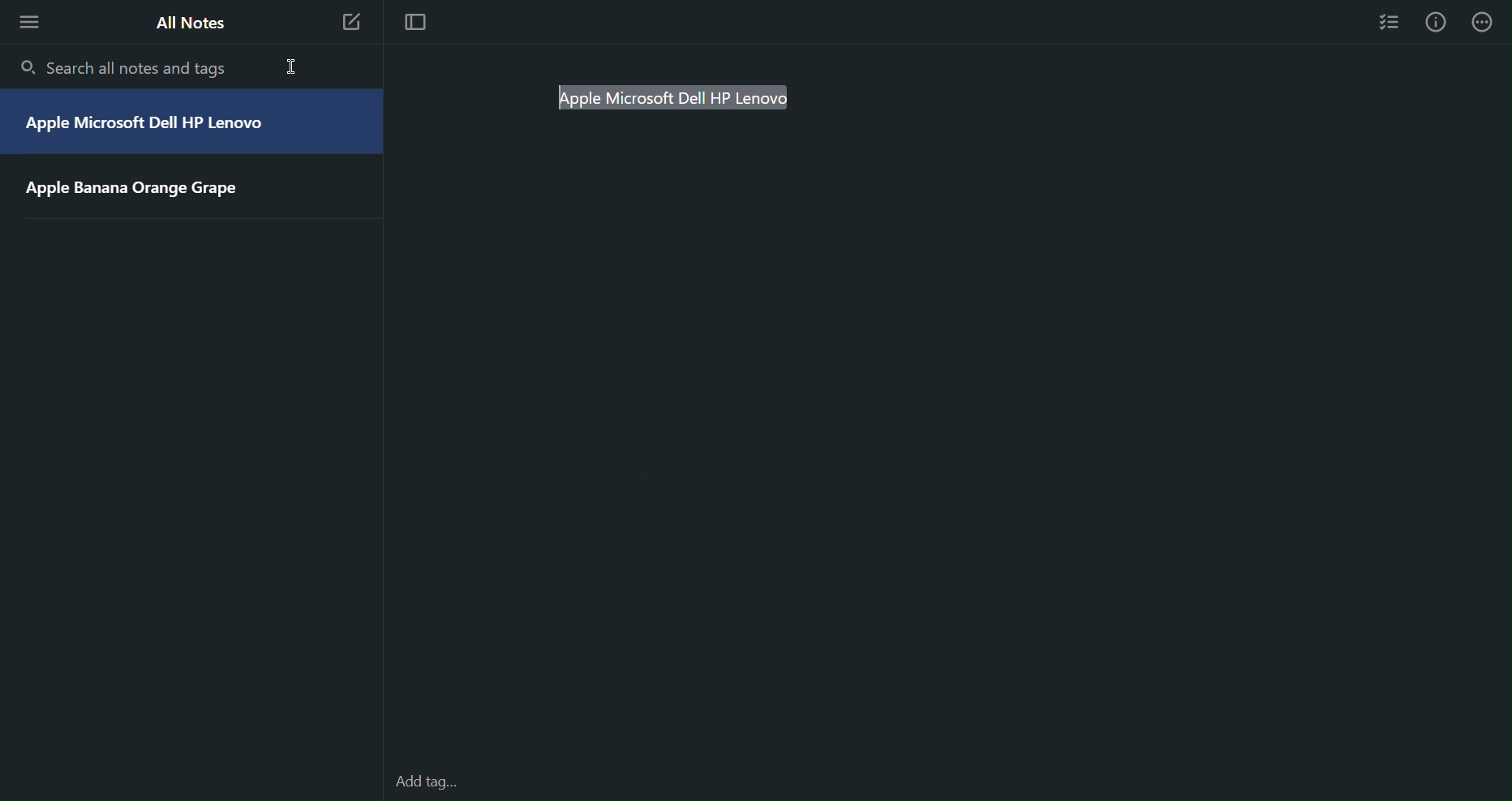 The image size is (1512, 801). Describe the element at coordinates (416, 26) in the screenshot. I see `Focus mode` at that location.